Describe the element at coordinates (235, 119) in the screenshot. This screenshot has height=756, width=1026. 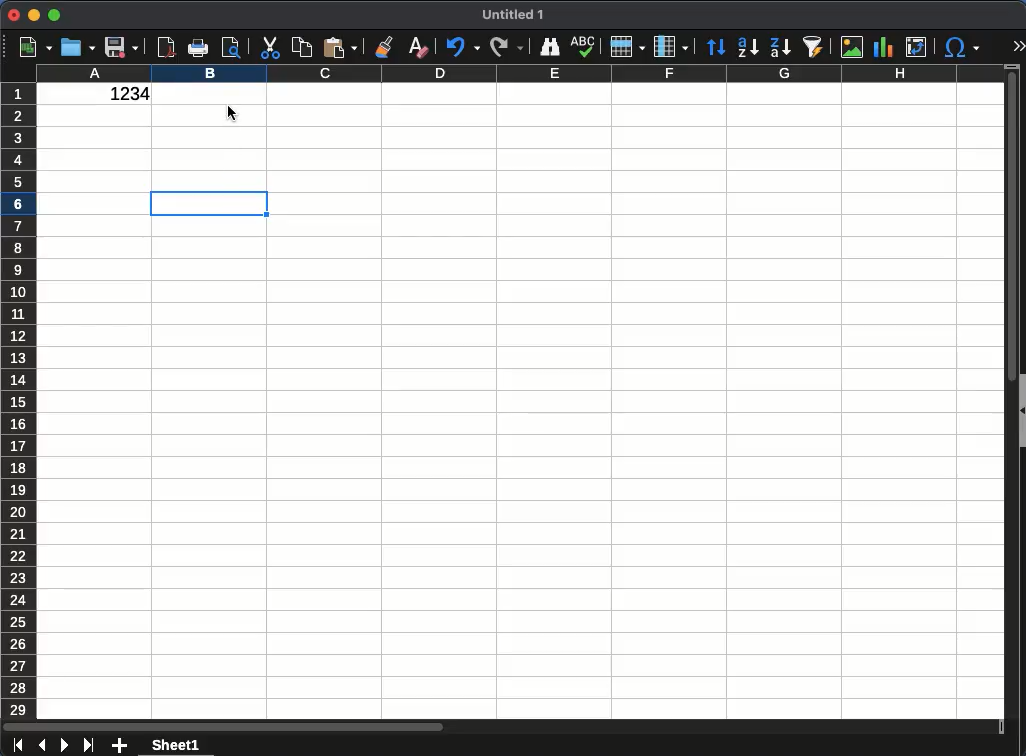
I see `cursor` at that location.